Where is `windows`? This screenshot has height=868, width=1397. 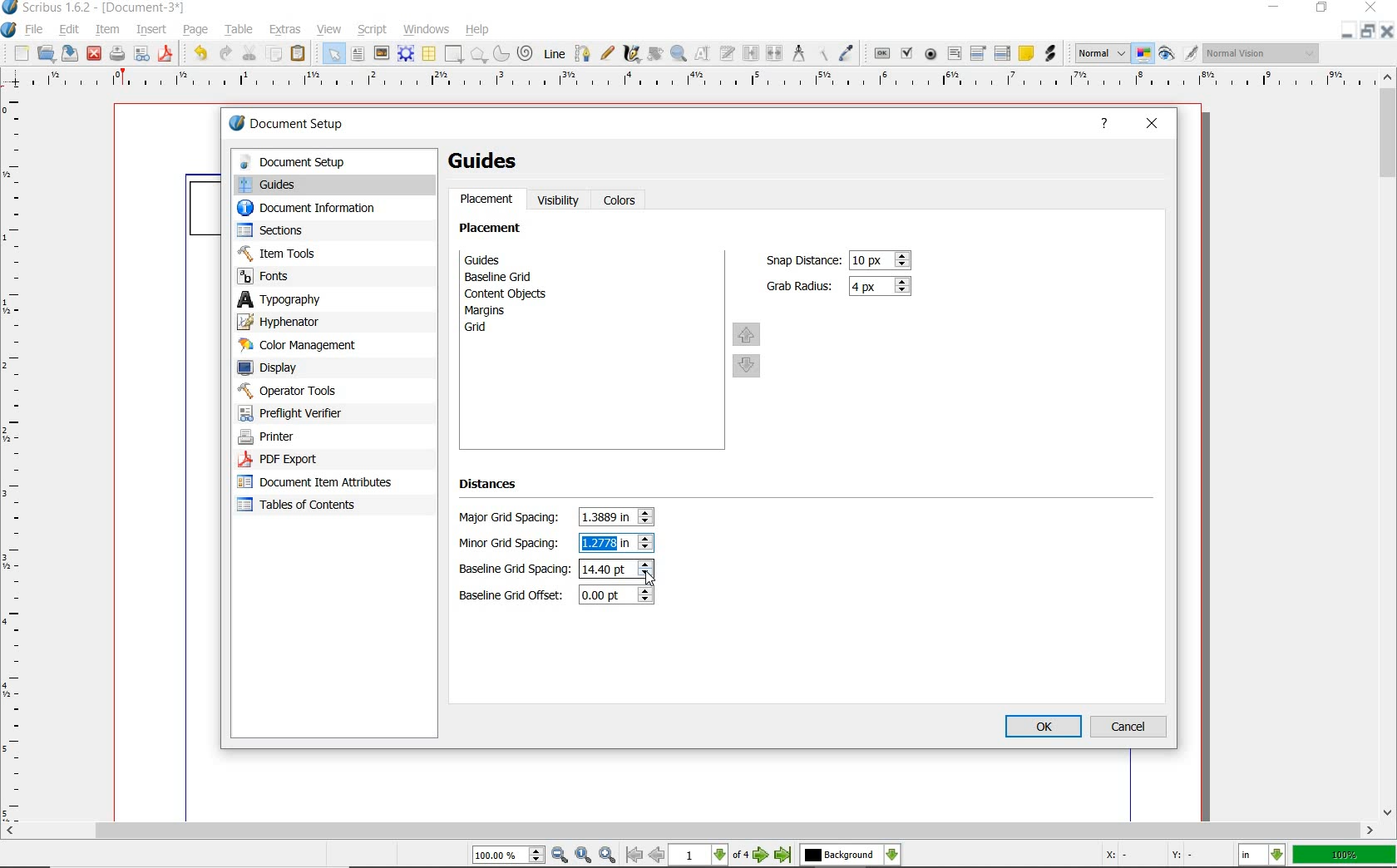 windows is located at coordinates (427, 28).